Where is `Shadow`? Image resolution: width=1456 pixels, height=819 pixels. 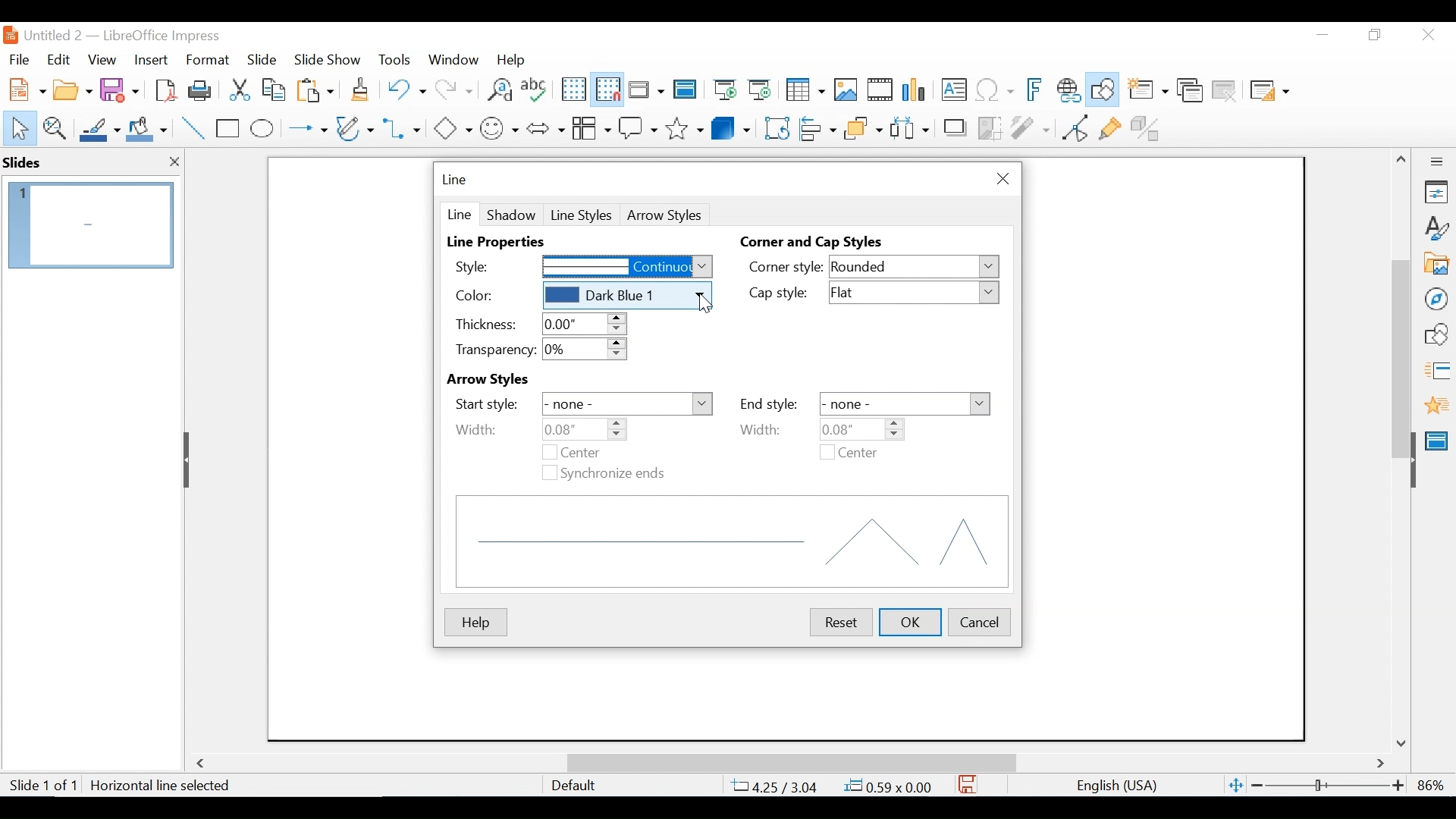
Shadow is located at coordinates (511, 214).